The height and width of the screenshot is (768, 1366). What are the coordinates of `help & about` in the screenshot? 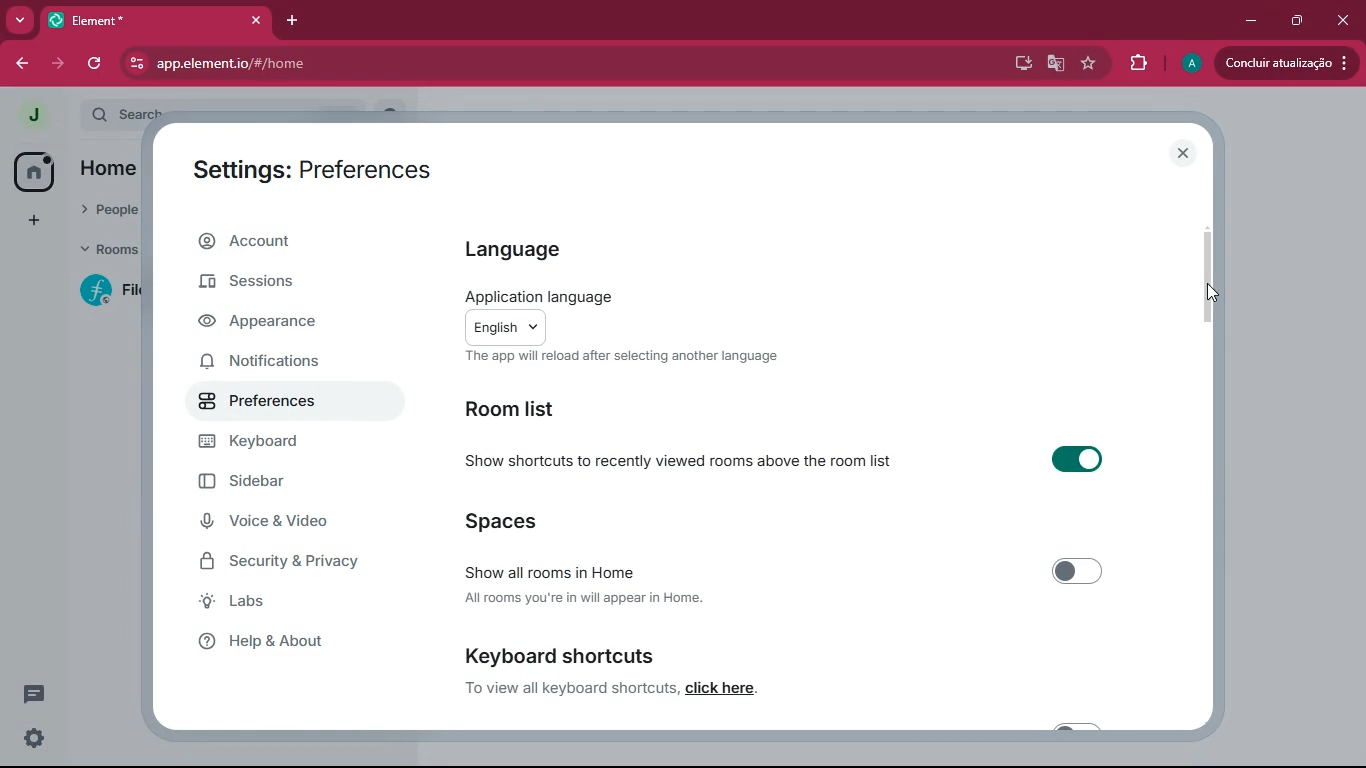 It's located at (300, 646).